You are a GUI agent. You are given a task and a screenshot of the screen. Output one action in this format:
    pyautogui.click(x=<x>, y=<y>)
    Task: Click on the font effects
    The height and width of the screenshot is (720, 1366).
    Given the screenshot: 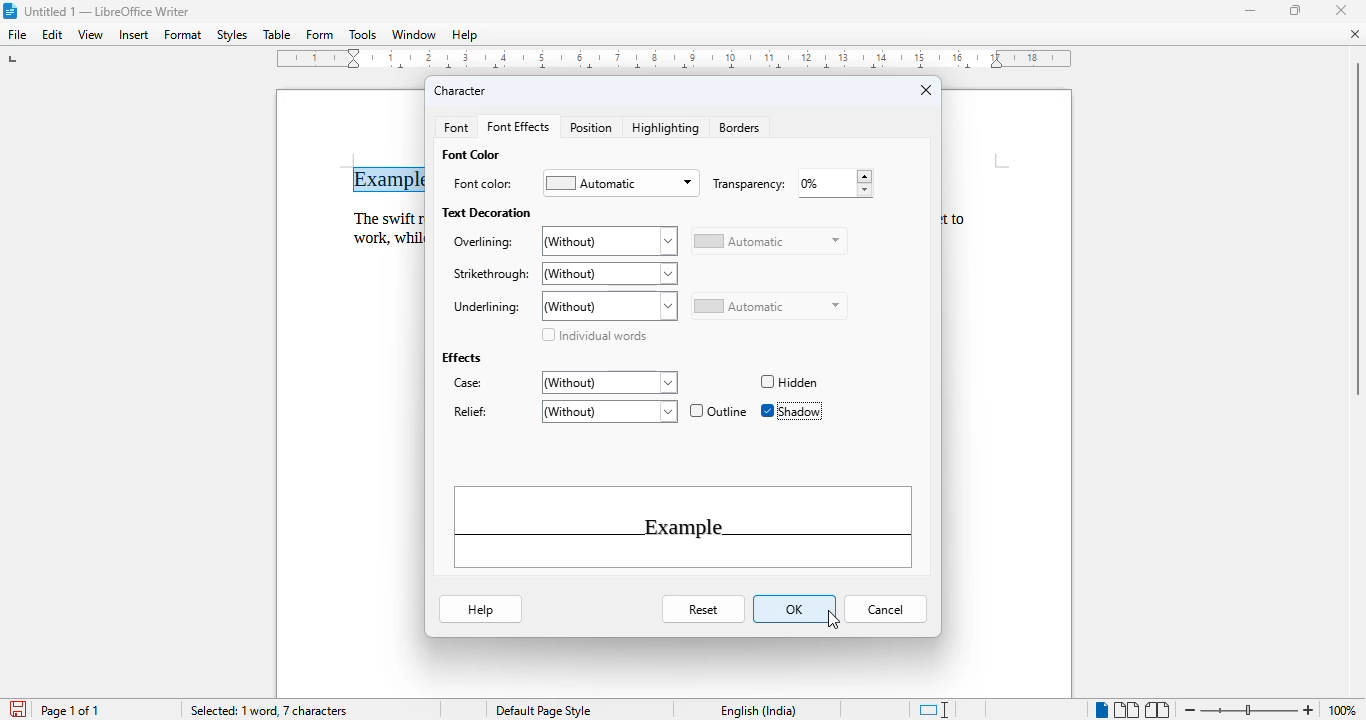 What is the action you would take?
    pyautogui.click(x=519, y=127)
    